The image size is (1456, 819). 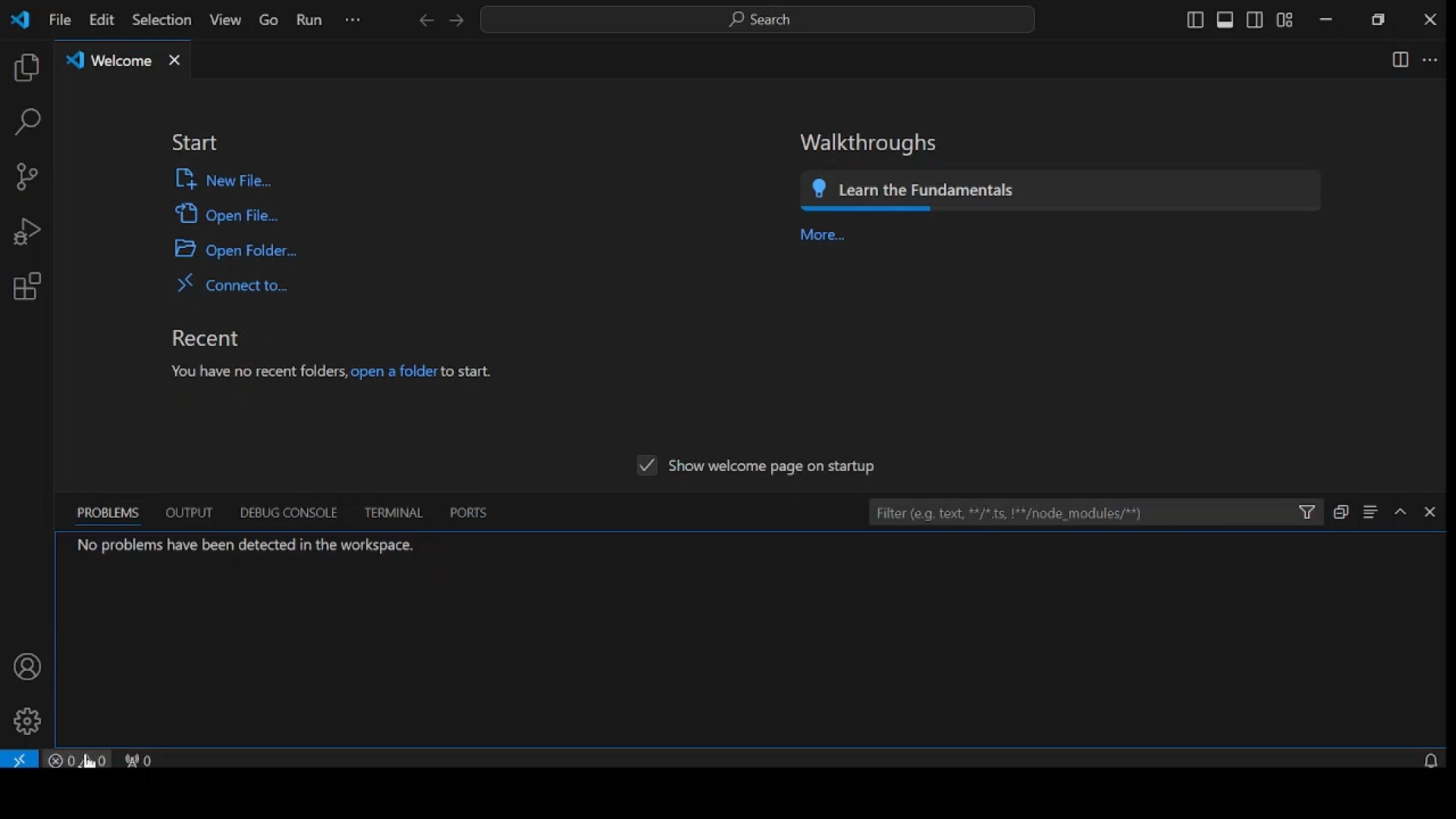 I want to click on extensions, so click(x=25, y=286).